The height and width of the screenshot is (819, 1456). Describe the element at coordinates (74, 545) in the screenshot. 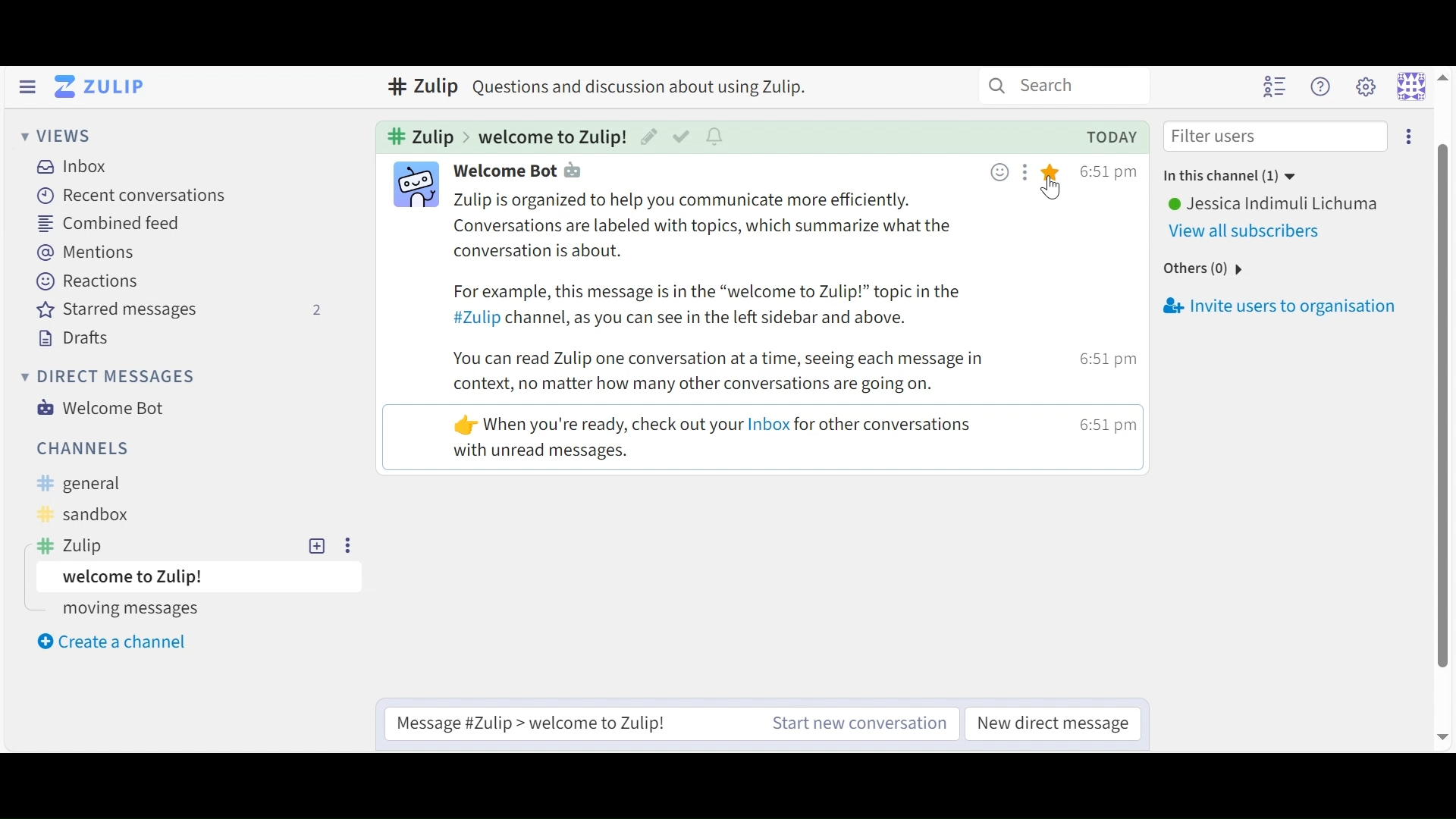

I see `Zulip` at that location.